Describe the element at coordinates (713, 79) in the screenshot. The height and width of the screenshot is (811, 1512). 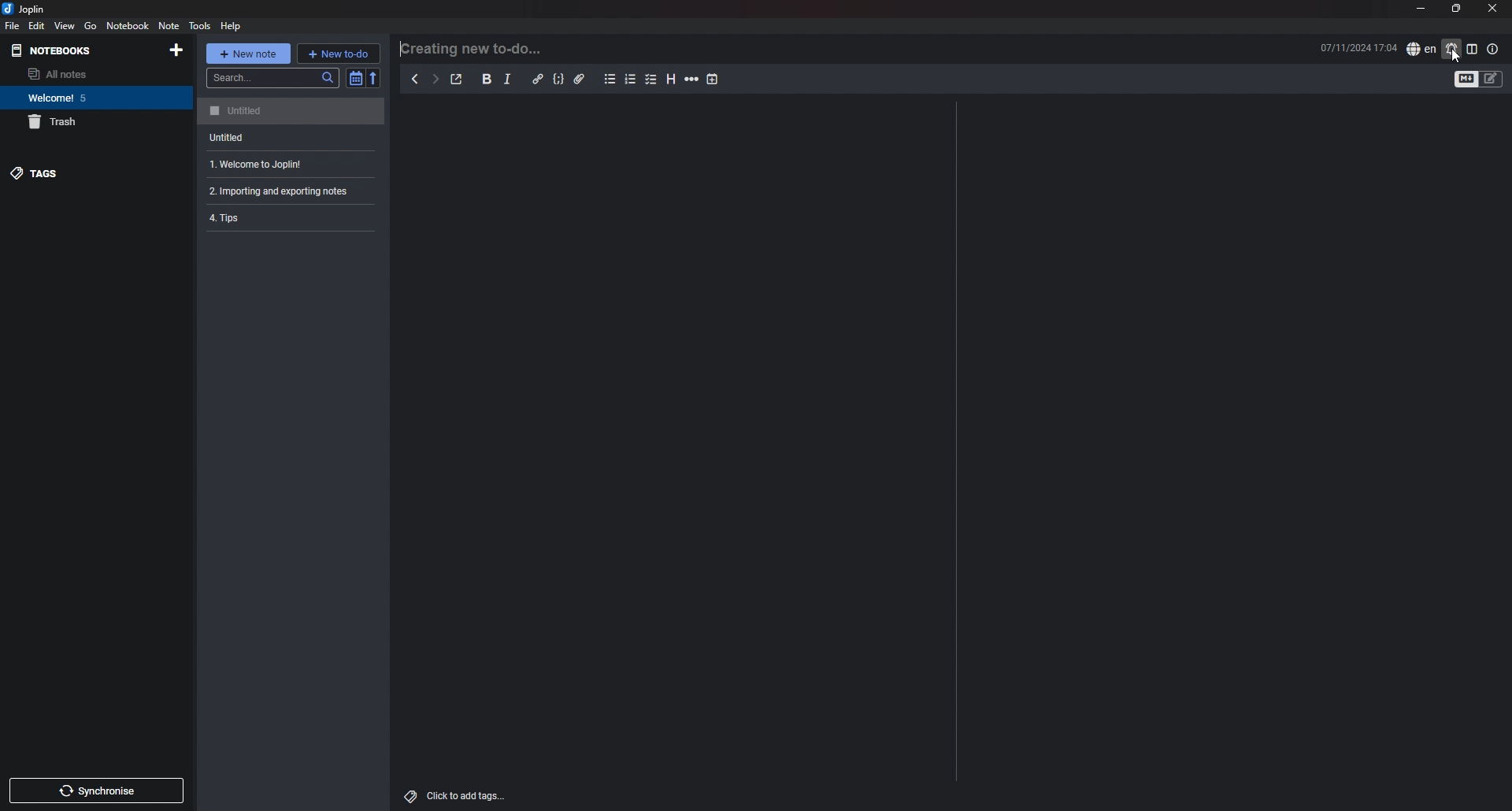
I see `add time` at that location.